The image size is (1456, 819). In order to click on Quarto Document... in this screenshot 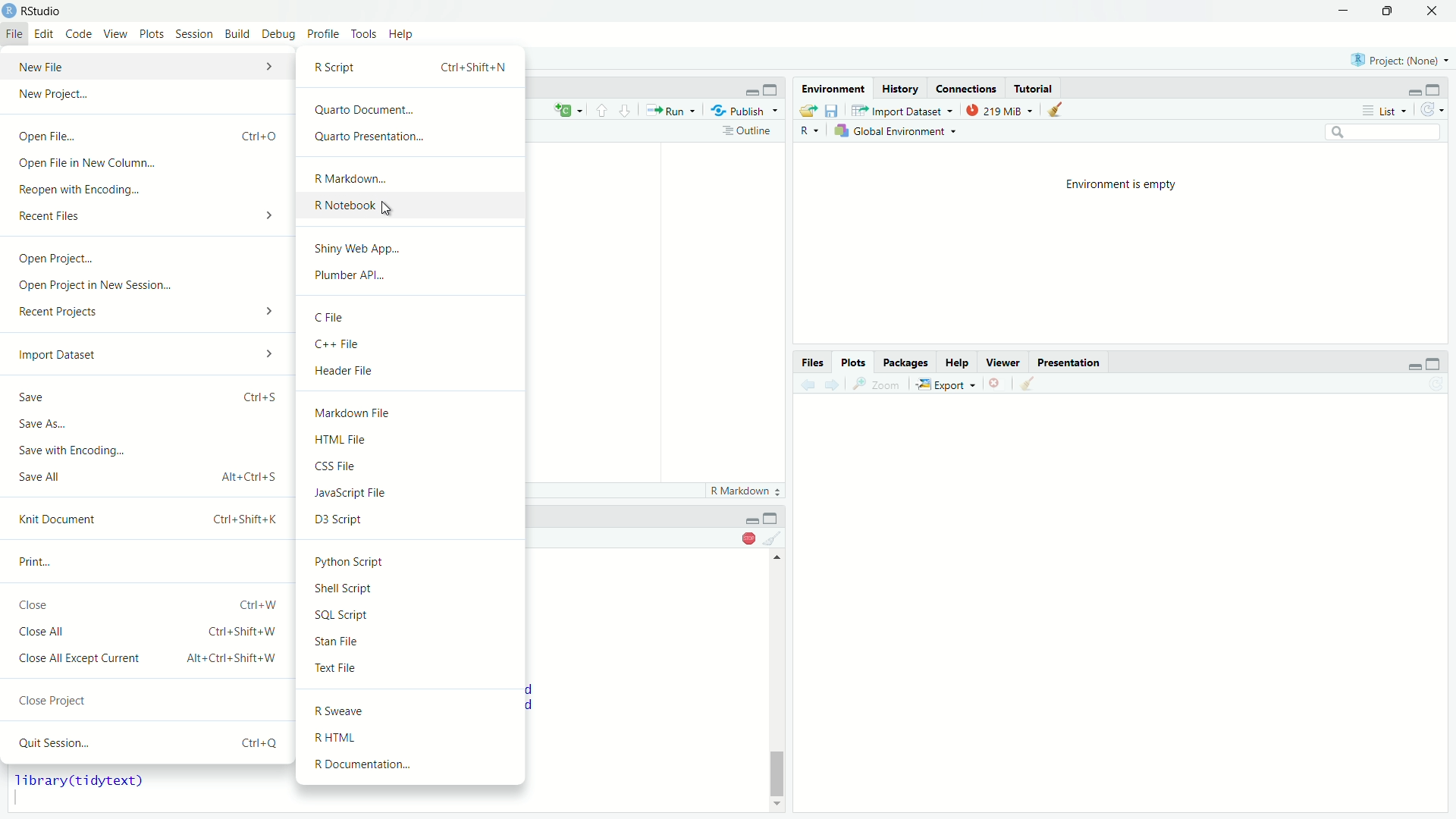, I will do `click(414, 110)`.